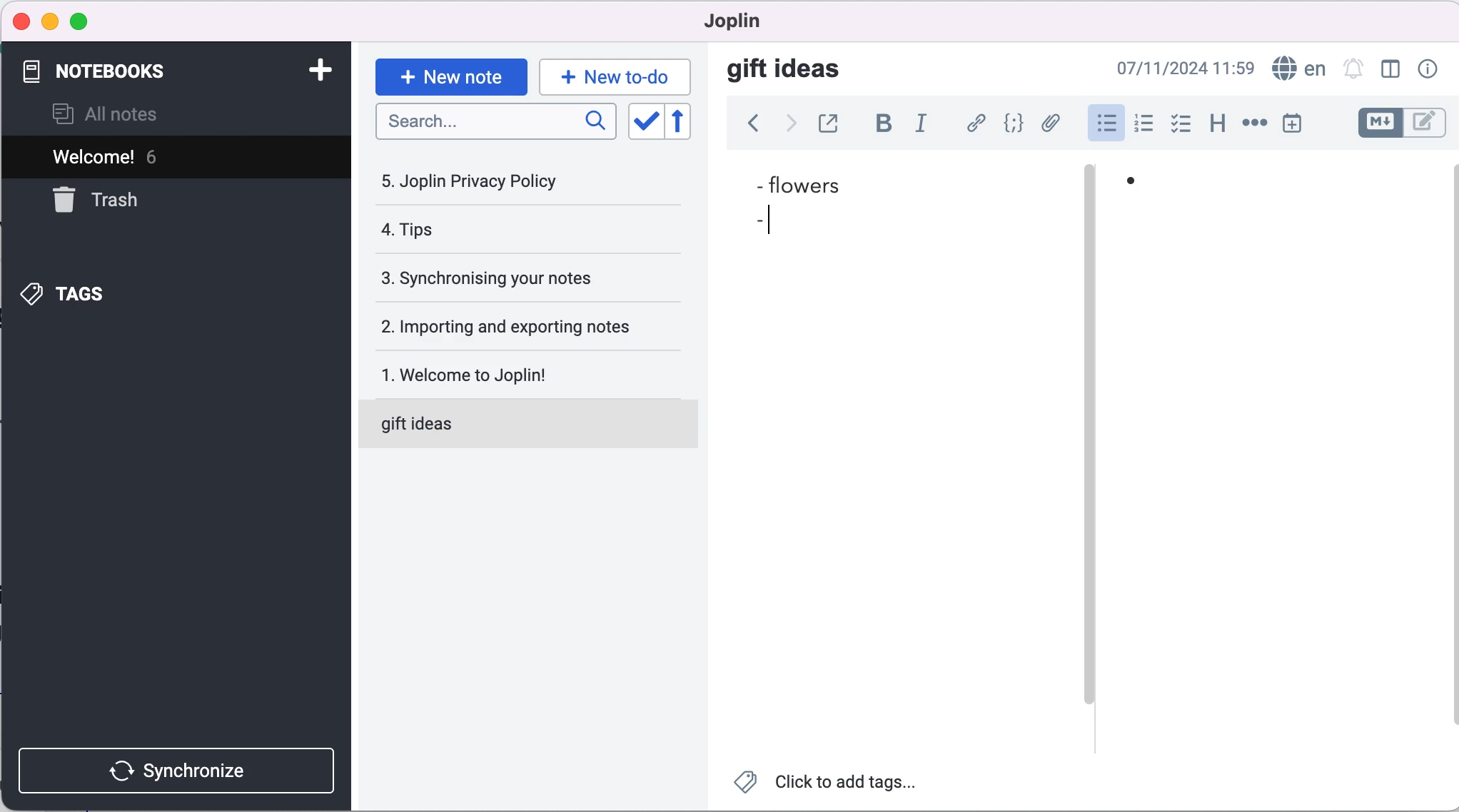 Image resolution: width=1459 pixels, height=812 pixels. I want to click on insert time, so click(1297, 126).